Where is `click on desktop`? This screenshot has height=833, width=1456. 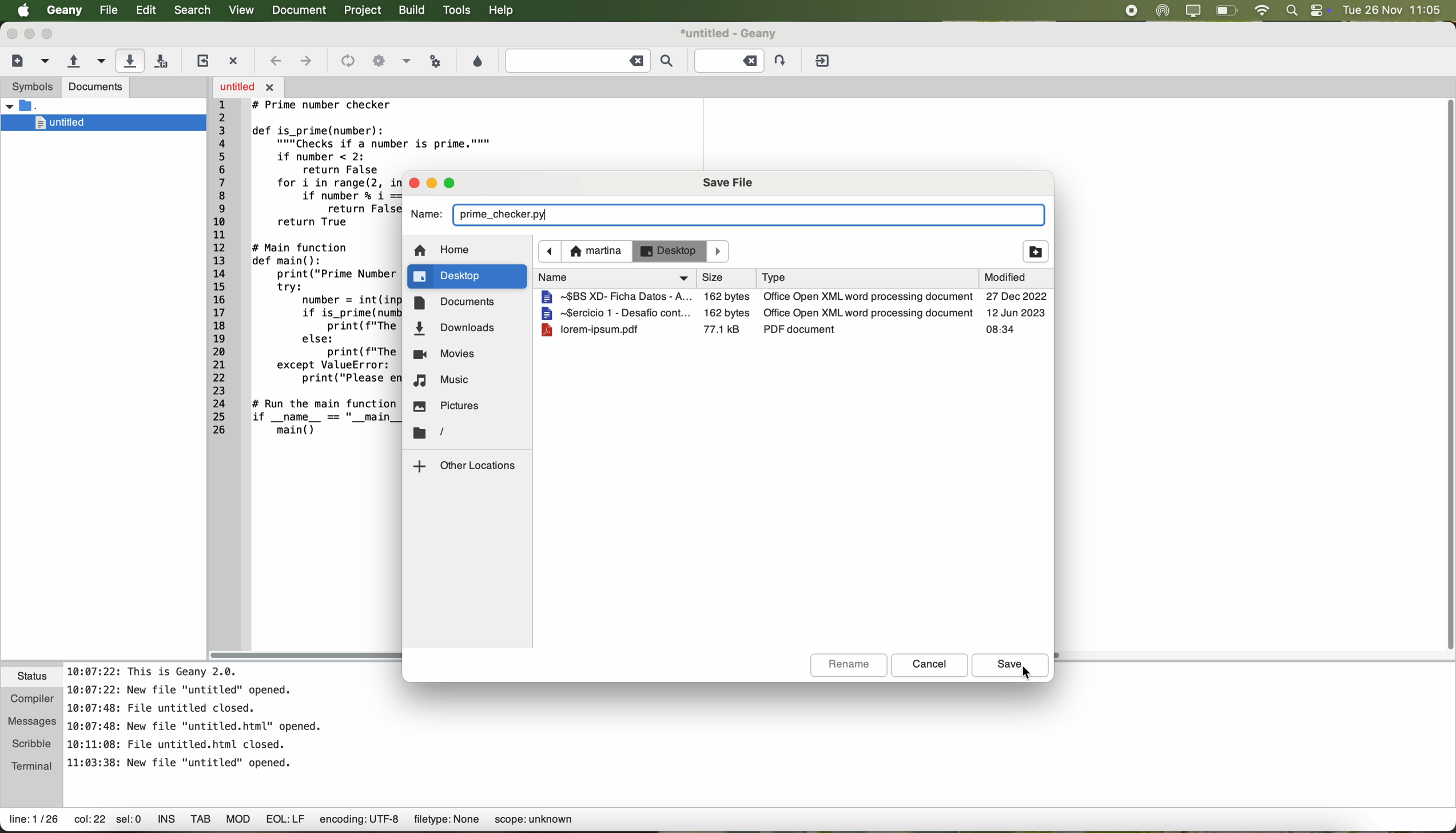 click on desktop is located at coordinates (465, 277).